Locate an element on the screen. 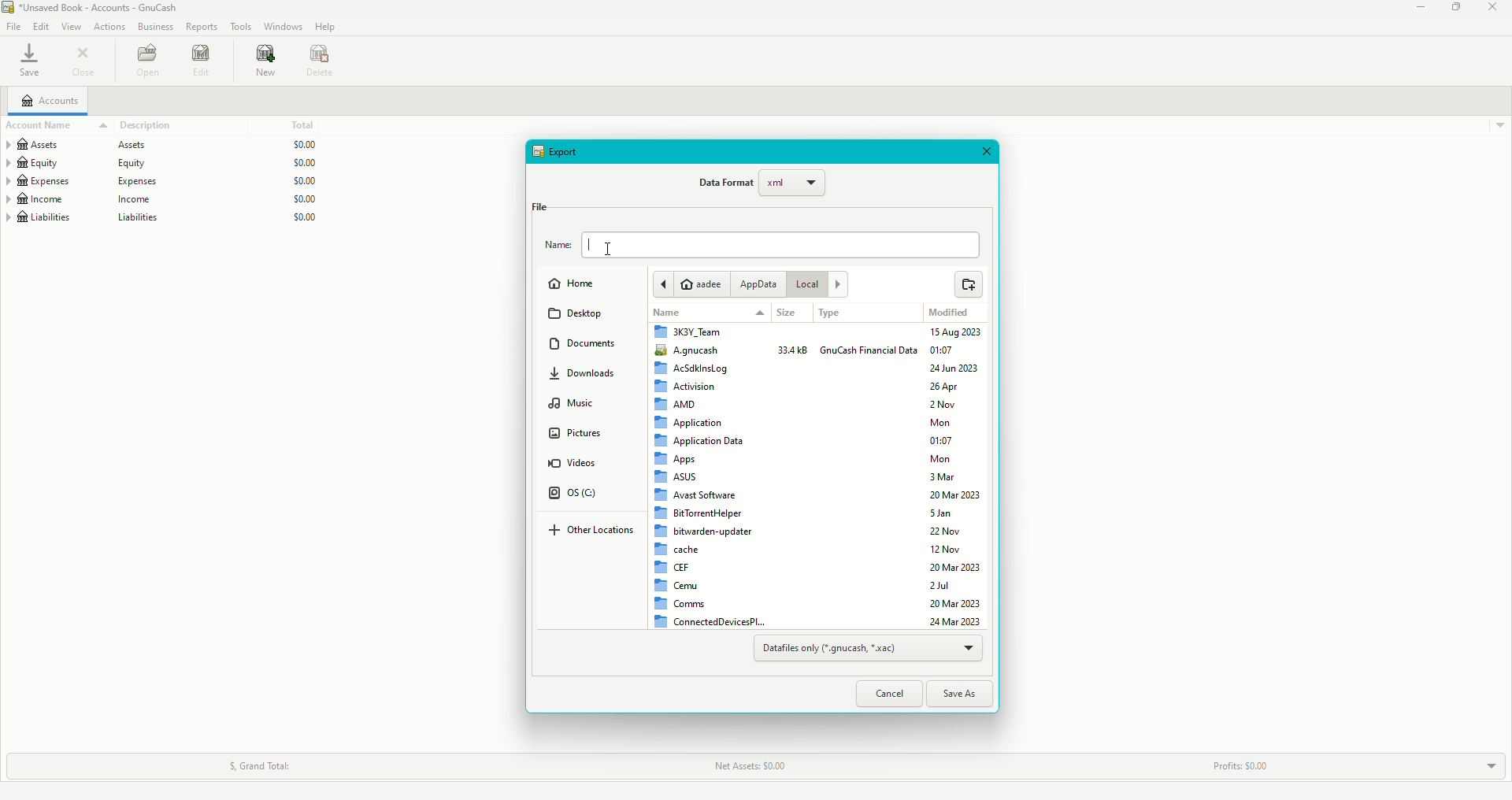  Expenses is located at coordinates (165, 180).